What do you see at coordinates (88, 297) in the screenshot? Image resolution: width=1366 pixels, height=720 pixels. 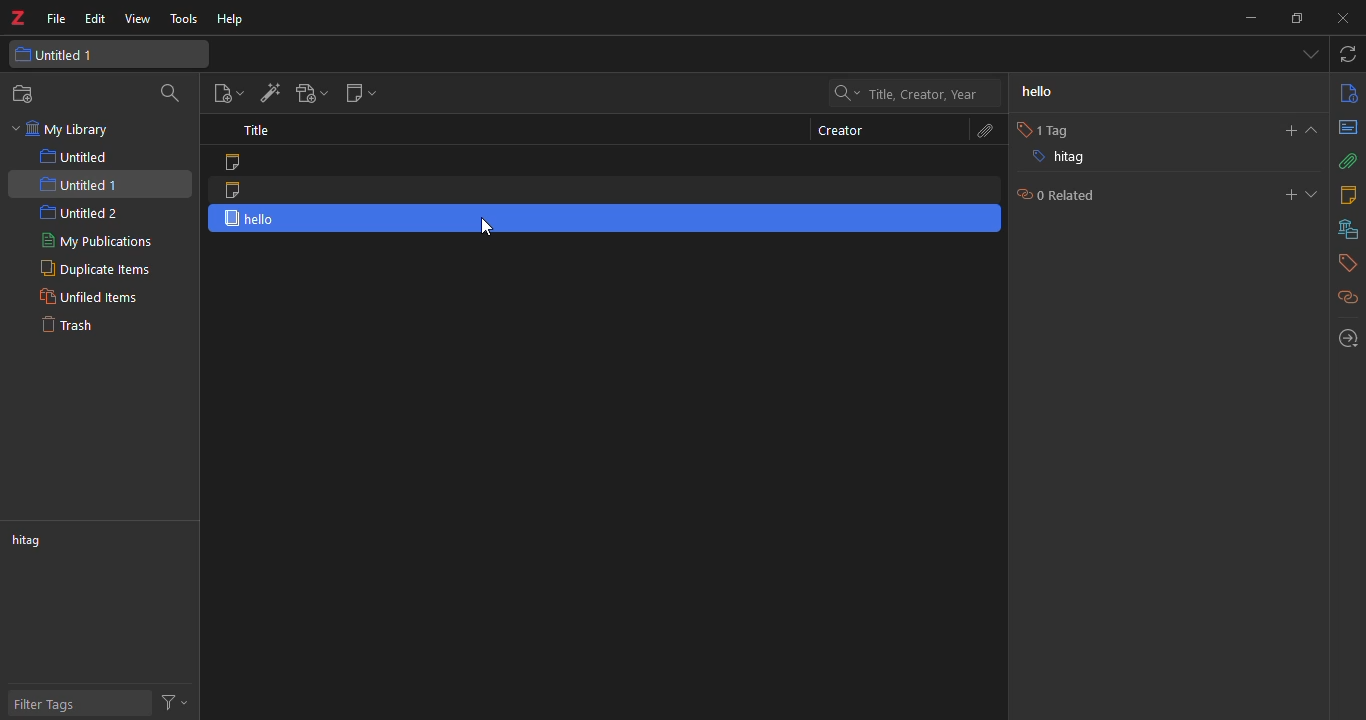 I see `unfiled items` at bounding box center [88, 297].